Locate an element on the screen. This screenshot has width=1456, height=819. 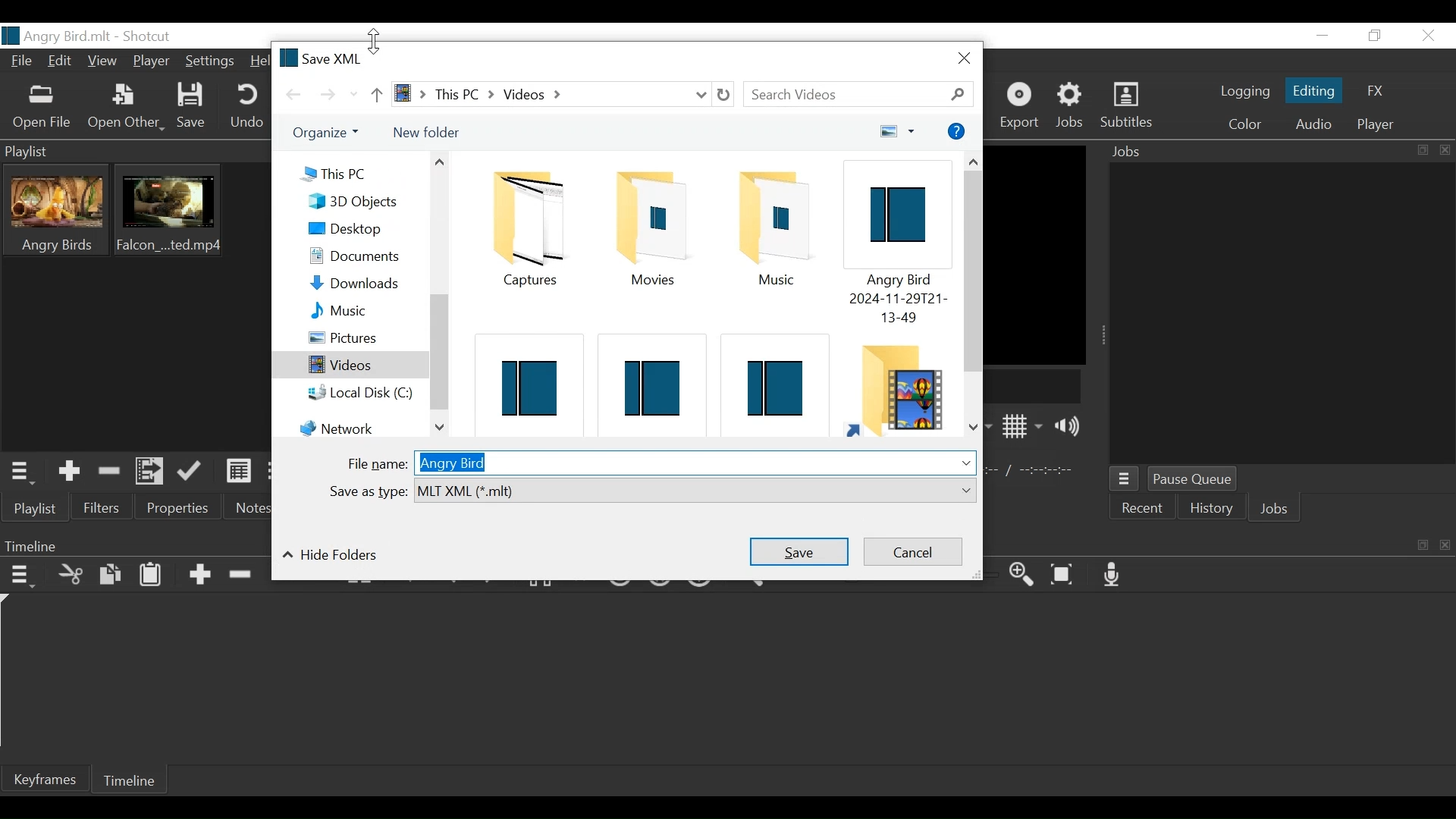
Append is located at coordinates (199, 575).